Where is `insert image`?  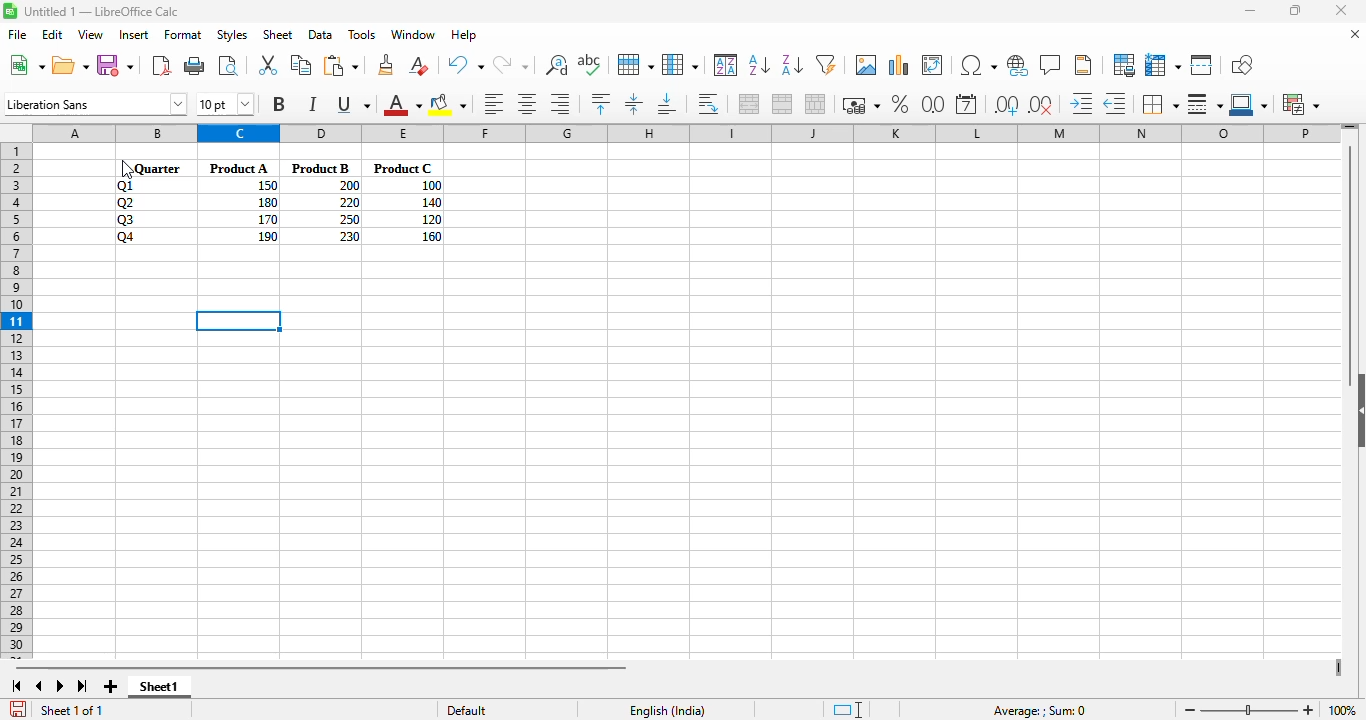
insert image is located at coordinates (867, 64).